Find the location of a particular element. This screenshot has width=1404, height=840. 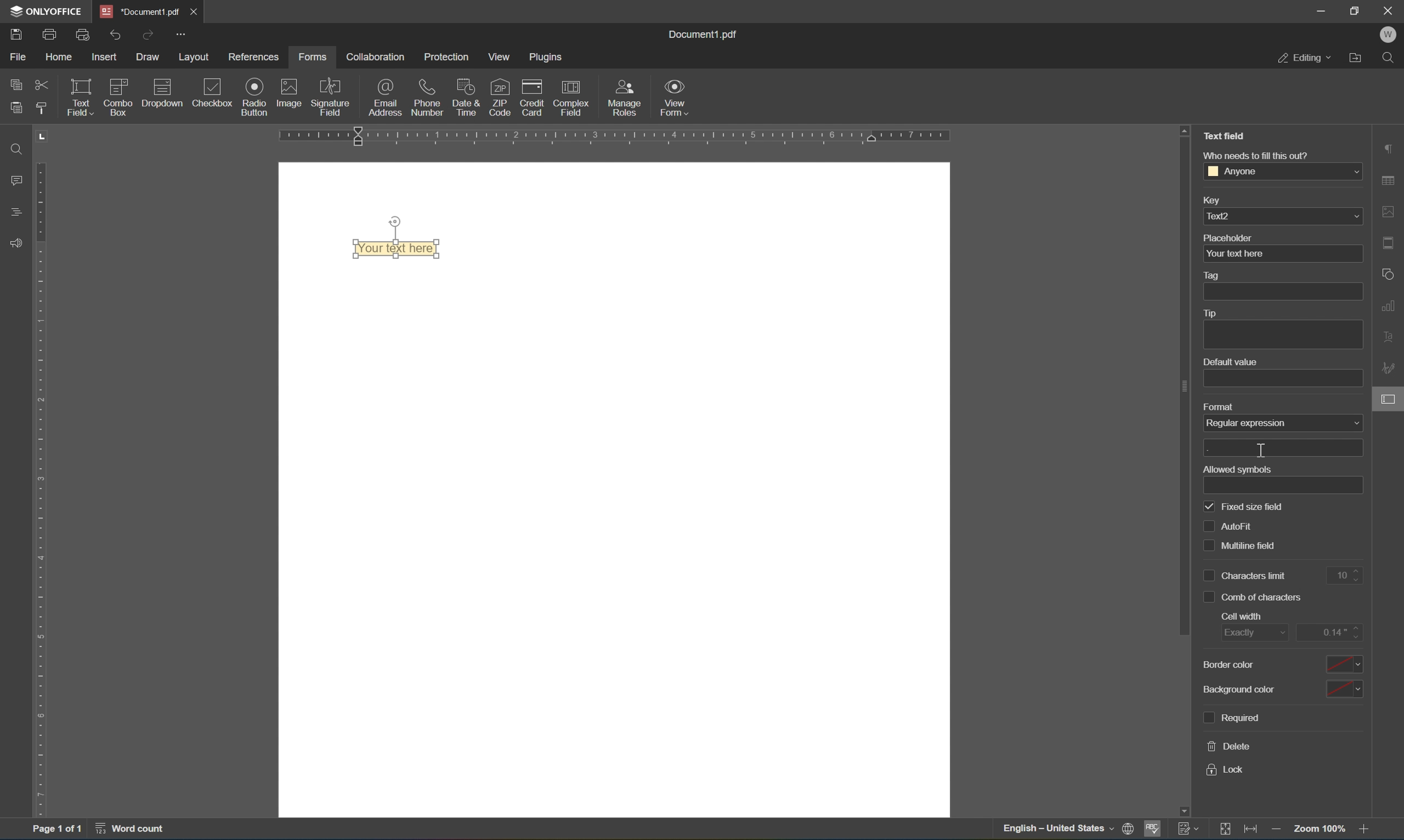

credit card is located at coordinates (533, 96).